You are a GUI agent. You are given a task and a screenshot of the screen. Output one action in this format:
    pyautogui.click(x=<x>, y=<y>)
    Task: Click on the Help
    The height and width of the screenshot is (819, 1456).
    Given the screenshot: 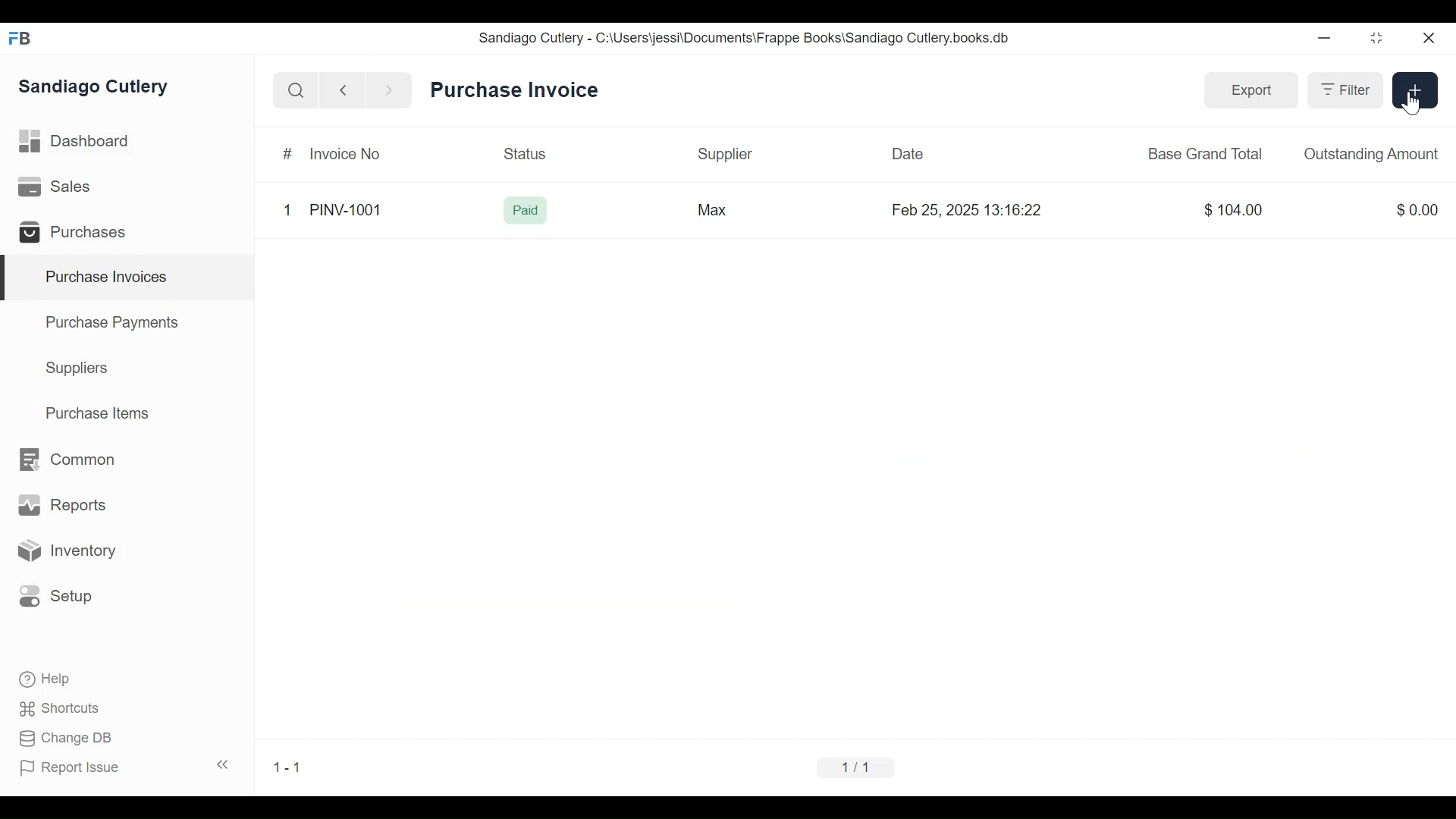 What is the action you would take?
    pyautogui.click(x=46, y=679)
    